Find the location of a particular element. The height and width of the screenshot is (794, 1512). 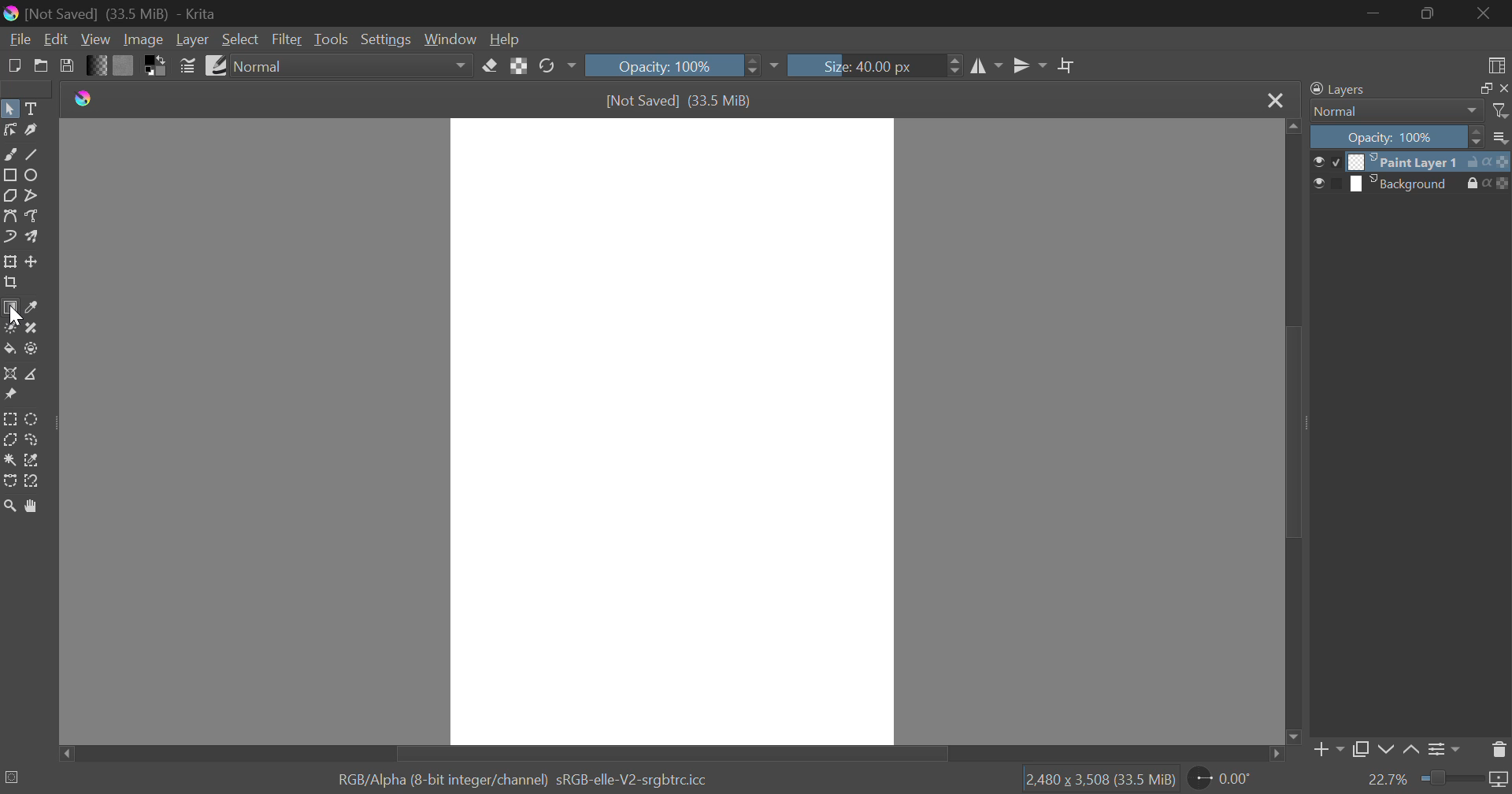

RGB/Alpha (8-bit integer/channel) sRGB-elle-V2-srgbtrc.icc is located at coordinates (528, 777).